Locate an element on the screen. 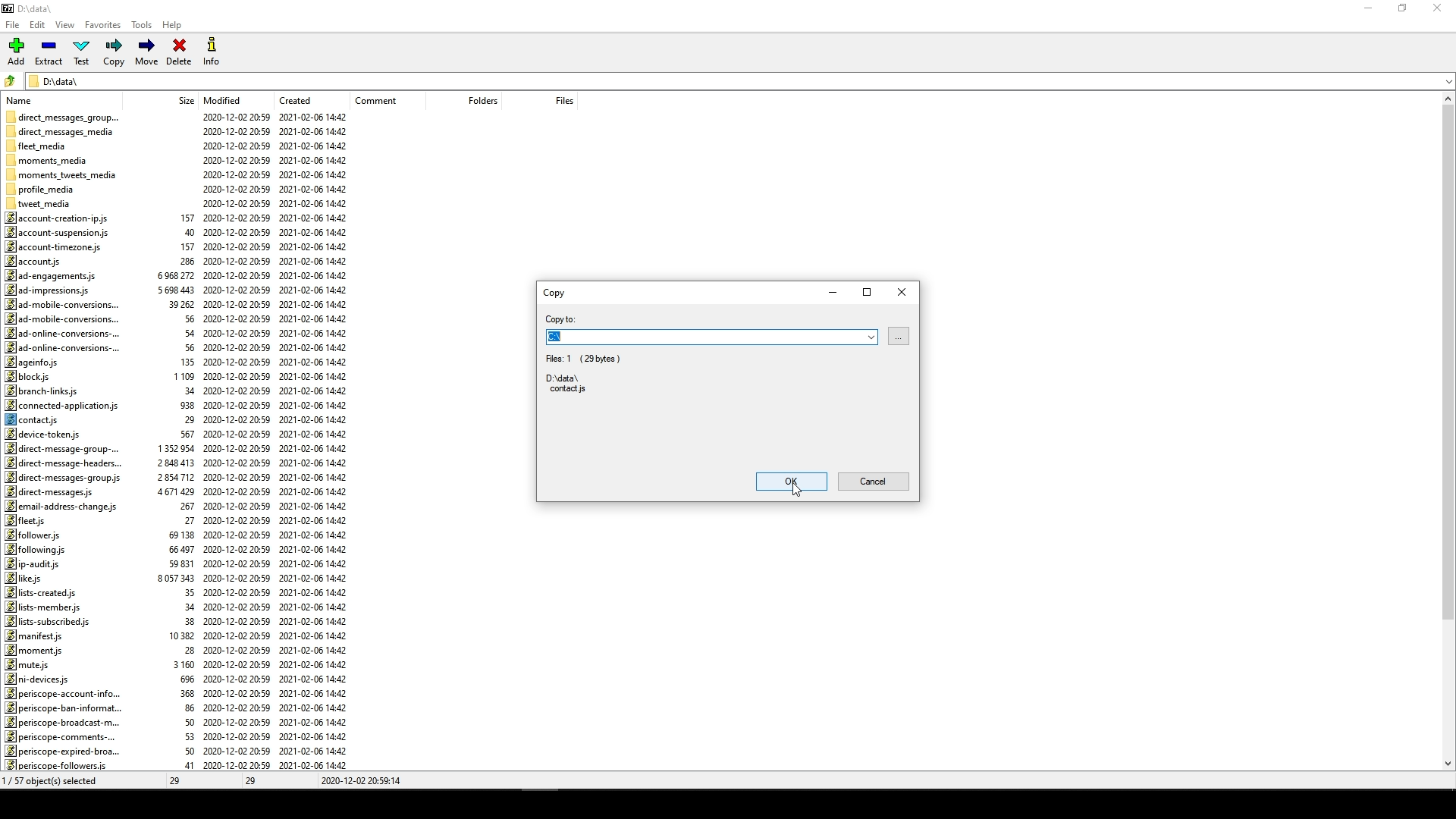 The height and width of the screenshot is (819, 1456). like.js is located at coordinates (28, 579).